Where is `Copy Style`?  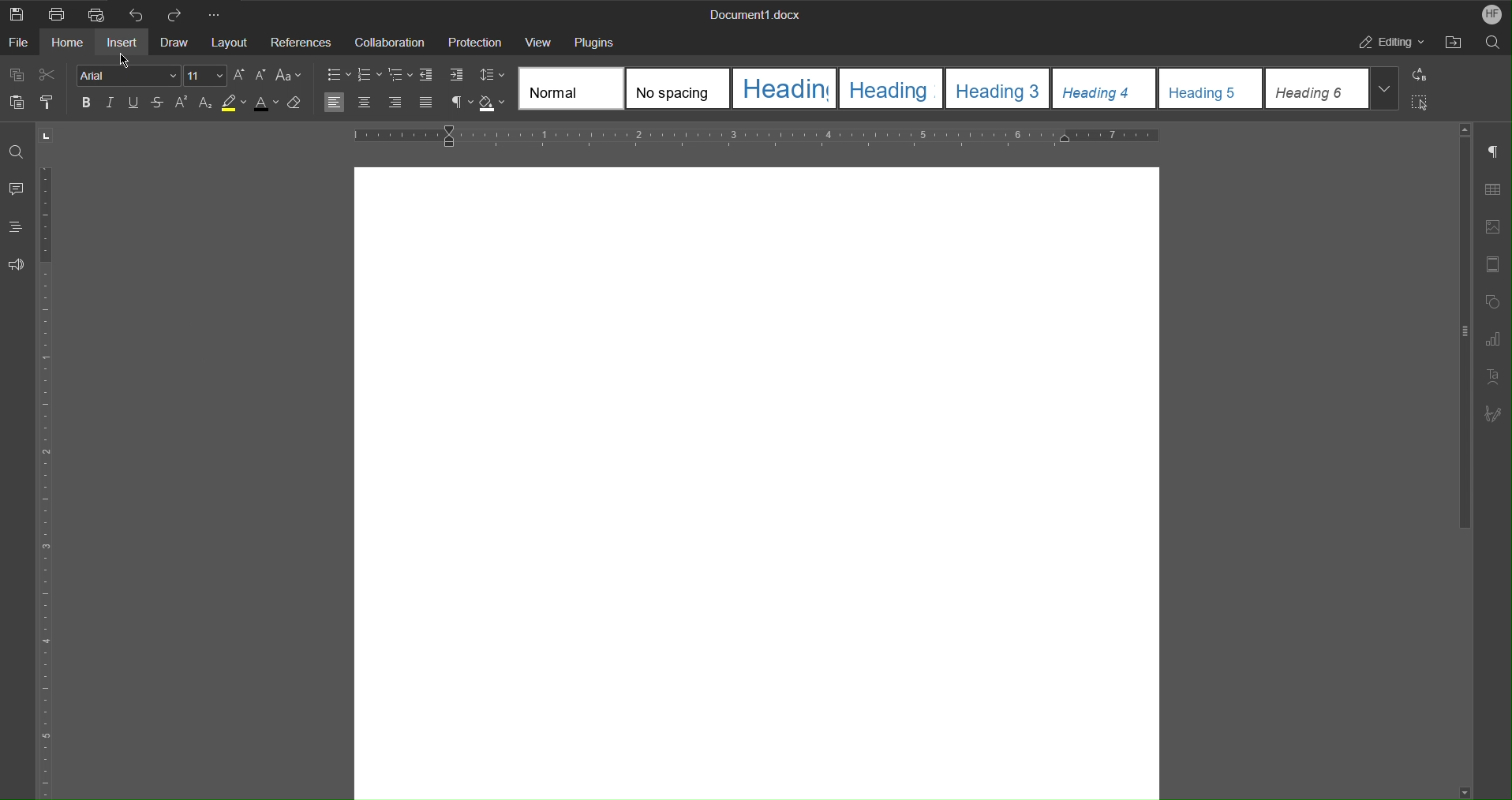 Copy Style is located at coordinates (48, 103).